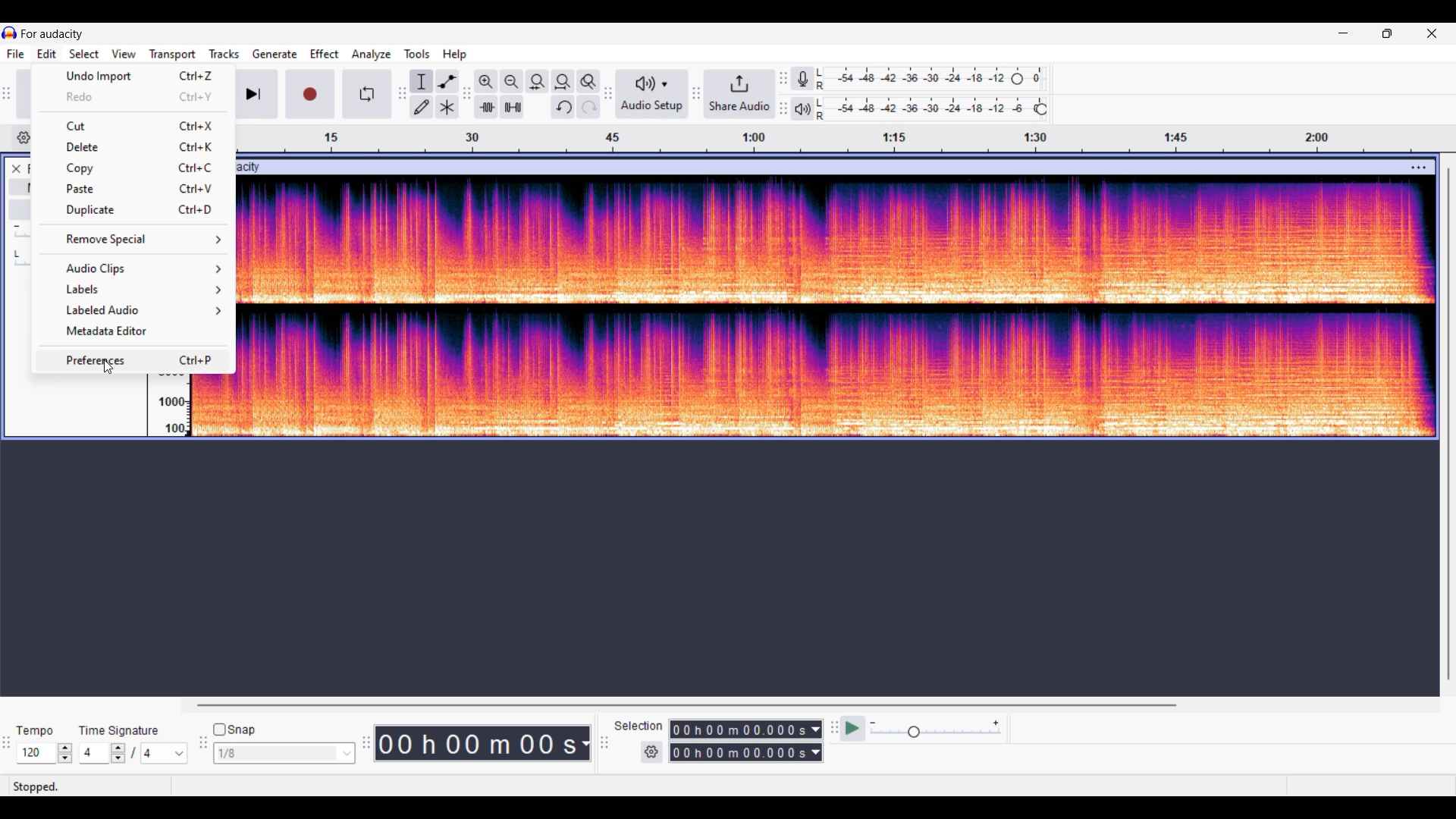  I want to click on Help menu, so click(455, 55).